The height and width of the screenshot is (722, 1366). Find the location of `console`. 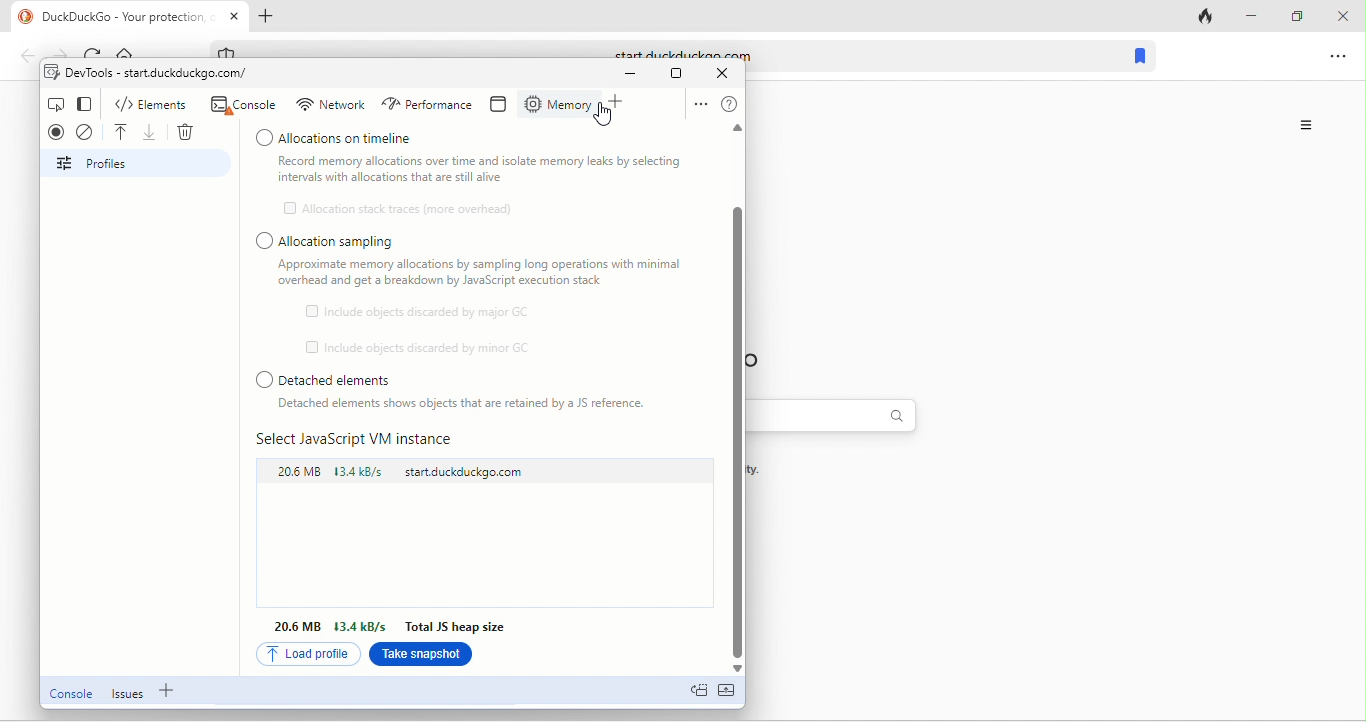

console is located at coordinates (72, 695).